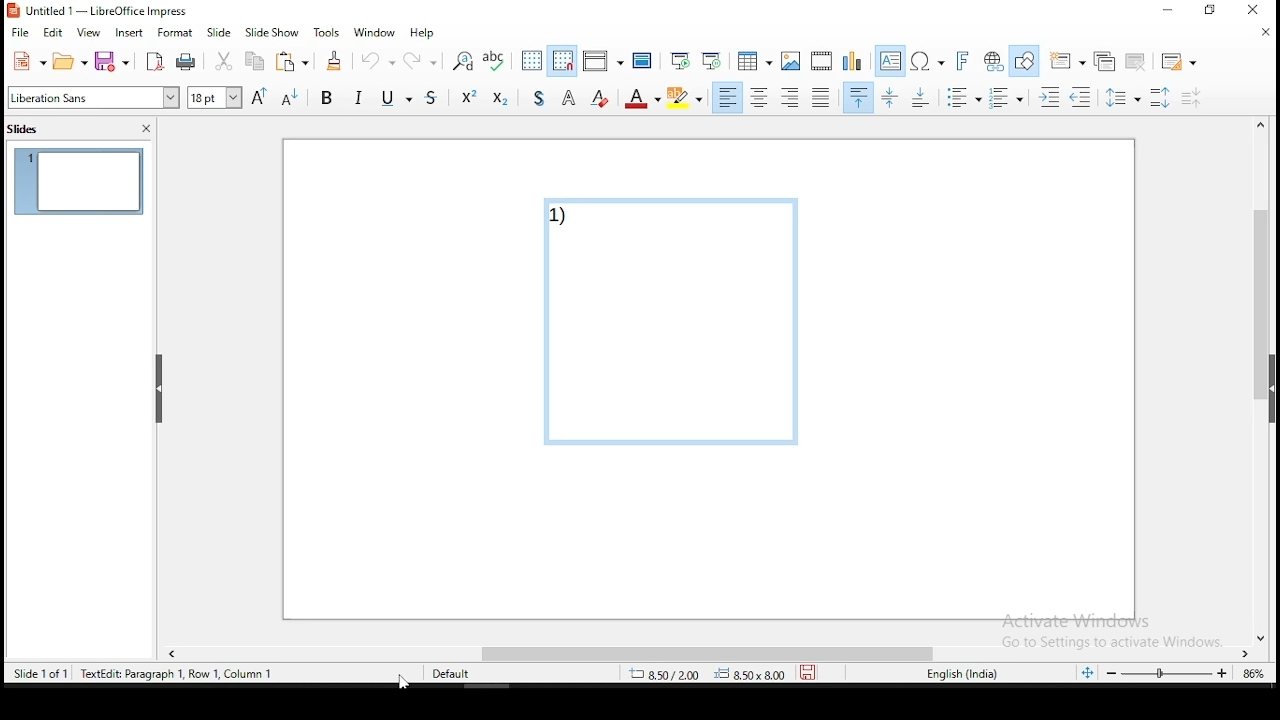  What do you see at coordinates (822, 98) in the screenshot?
I see `justified` at bounding box center [822, 98].